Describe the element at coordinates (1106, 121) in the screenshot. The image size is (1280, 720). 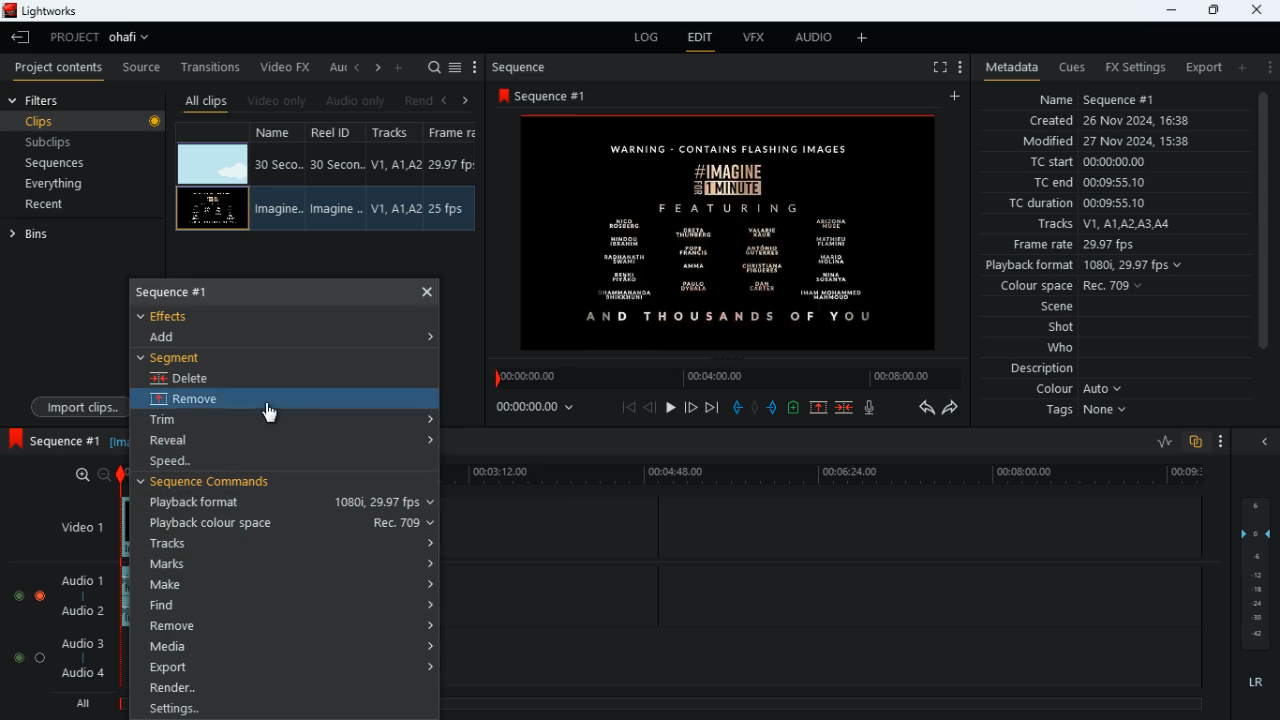
I see `created` at that location.